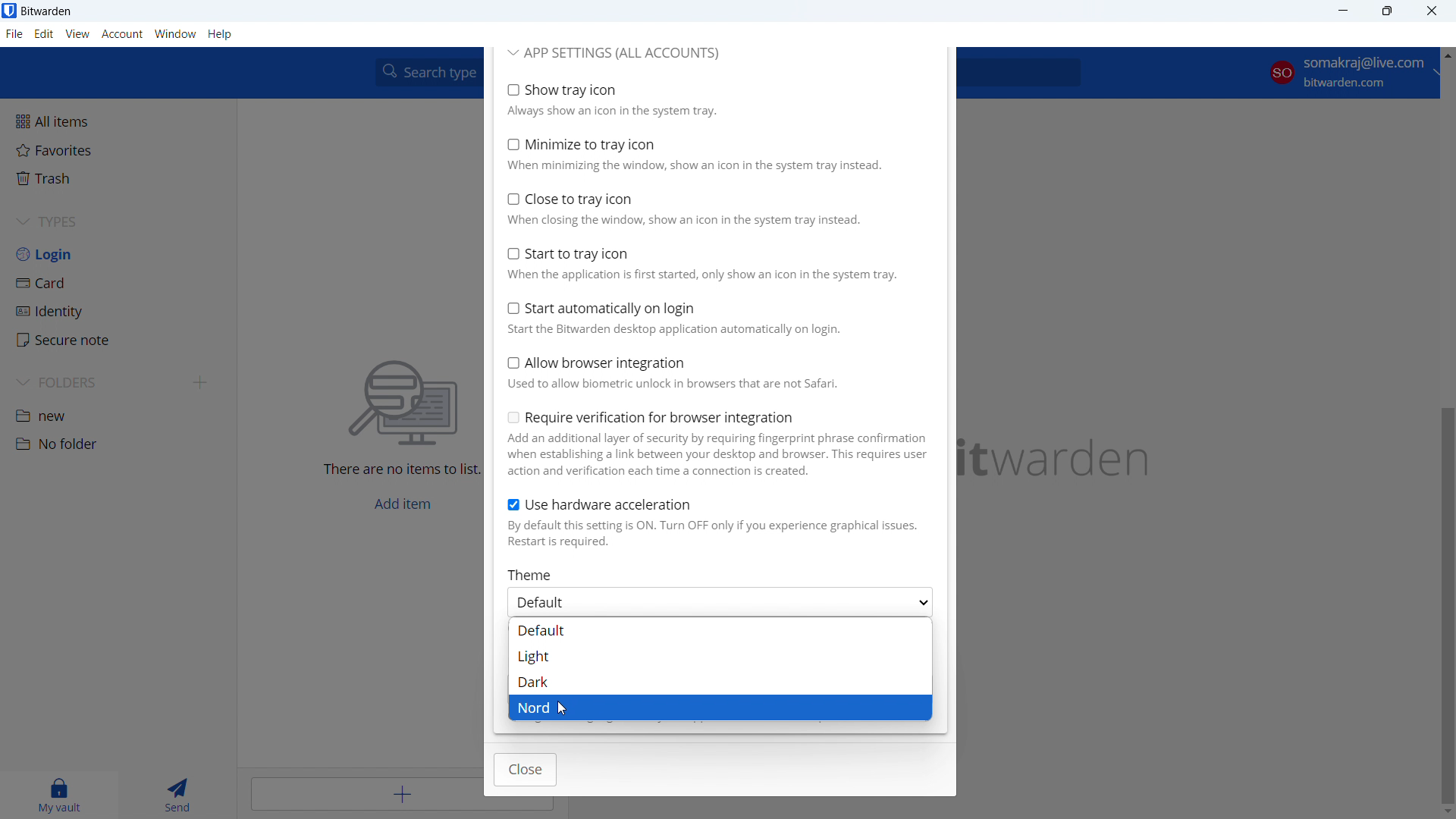 The height and width of the screenshot is (819, 1456). What do you see at coordinates (221, 35) in the screenshot?
I see `help` at bounding box center [221, 35].